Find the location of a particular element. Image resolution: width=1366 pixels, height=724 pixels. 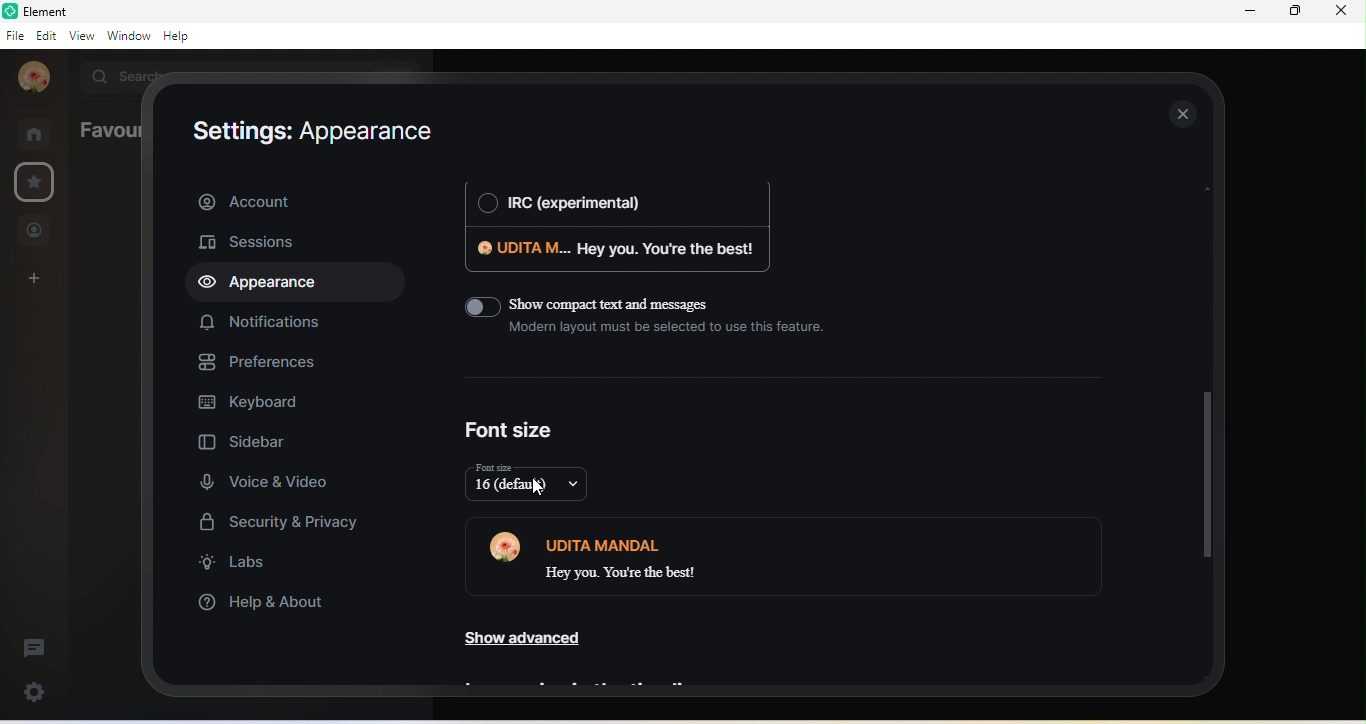

drop down scroll bar is located at coordinates (1206, 476).